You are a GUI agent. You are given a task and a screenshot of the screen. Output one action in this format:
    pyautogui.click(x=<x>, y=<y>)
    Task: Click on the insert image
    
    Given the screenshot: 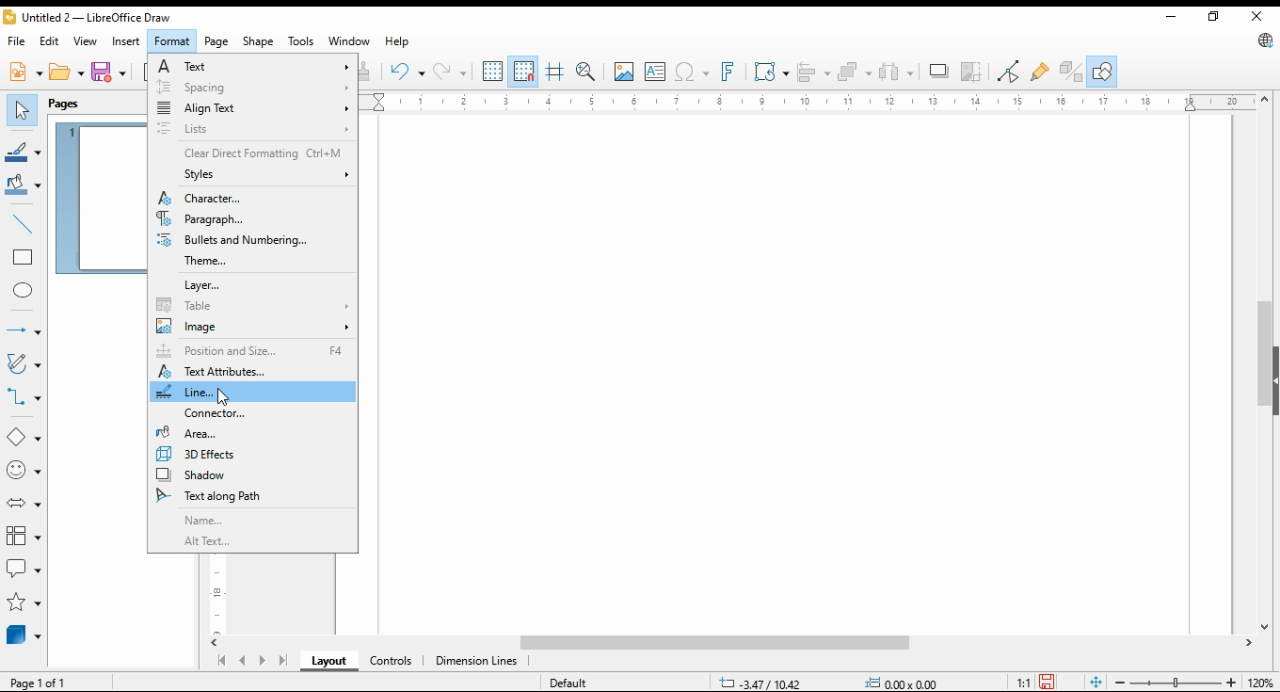 What is the action you would take?
    pyautogui.click(x=623, y=71)
    